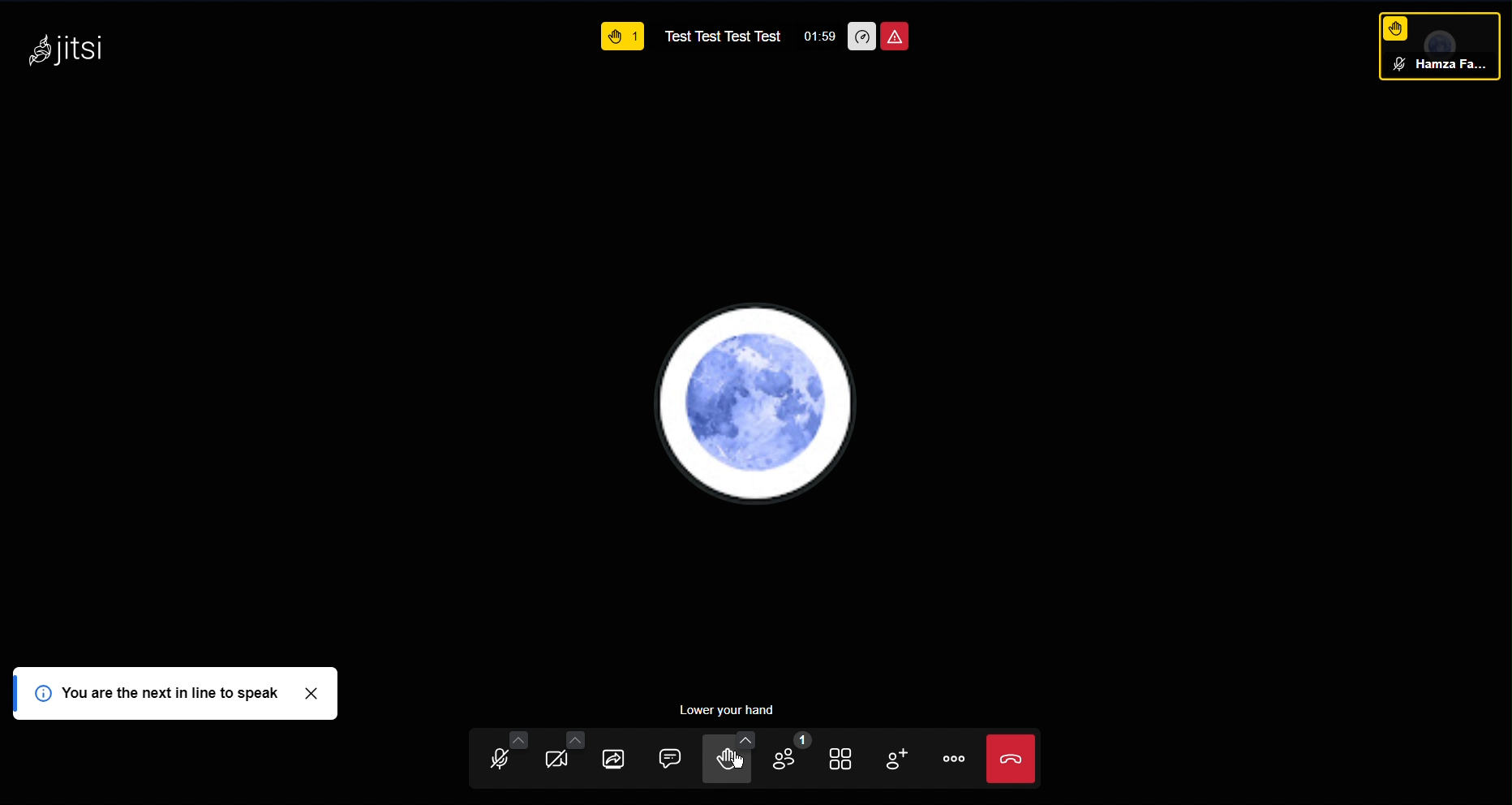 The image size is (1512, 805). I want to click on Jitsi, so click(64, 45).